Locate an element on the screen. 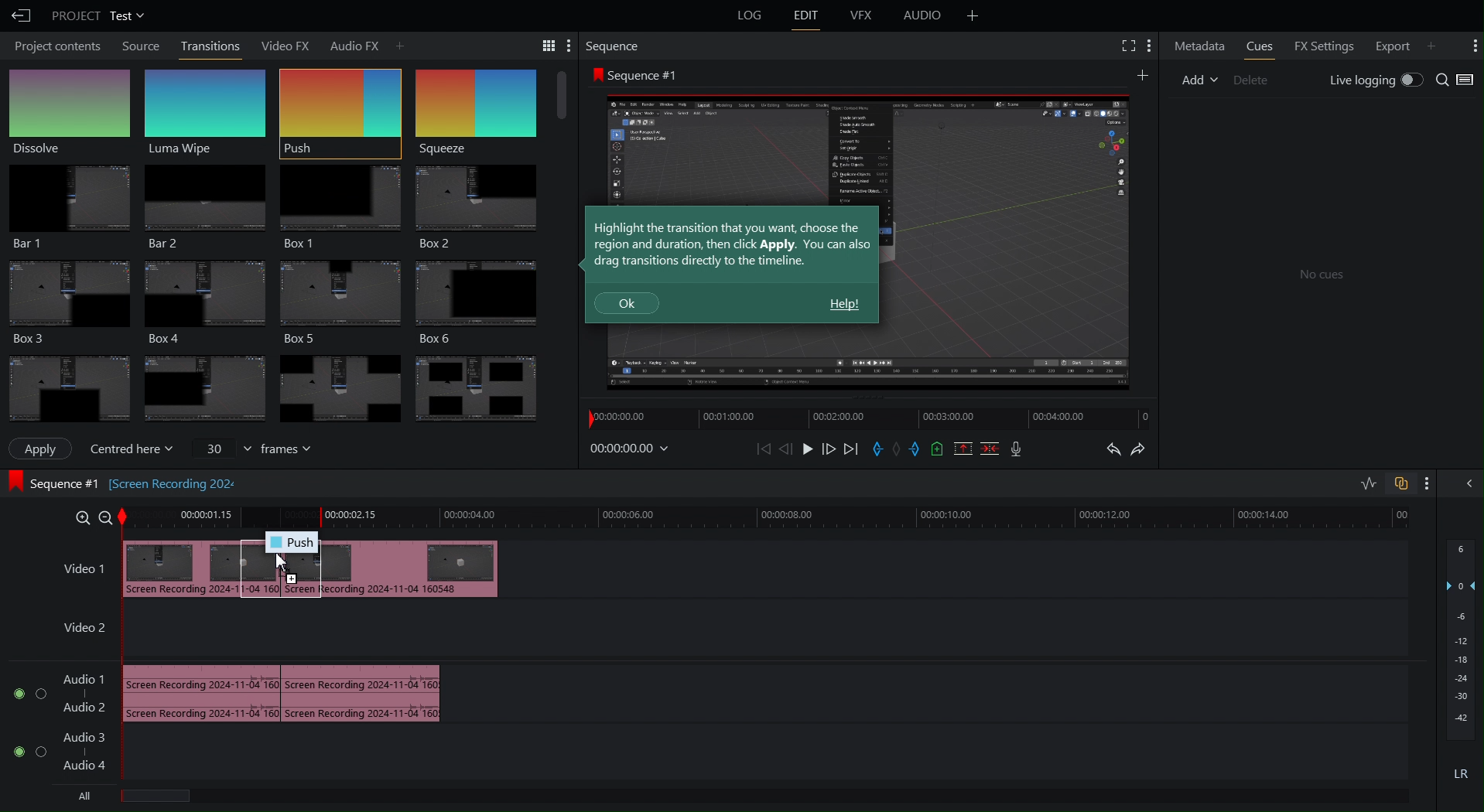 This screenshot has width=1484, height=812. Undo is located at coordinates (1108, 451).